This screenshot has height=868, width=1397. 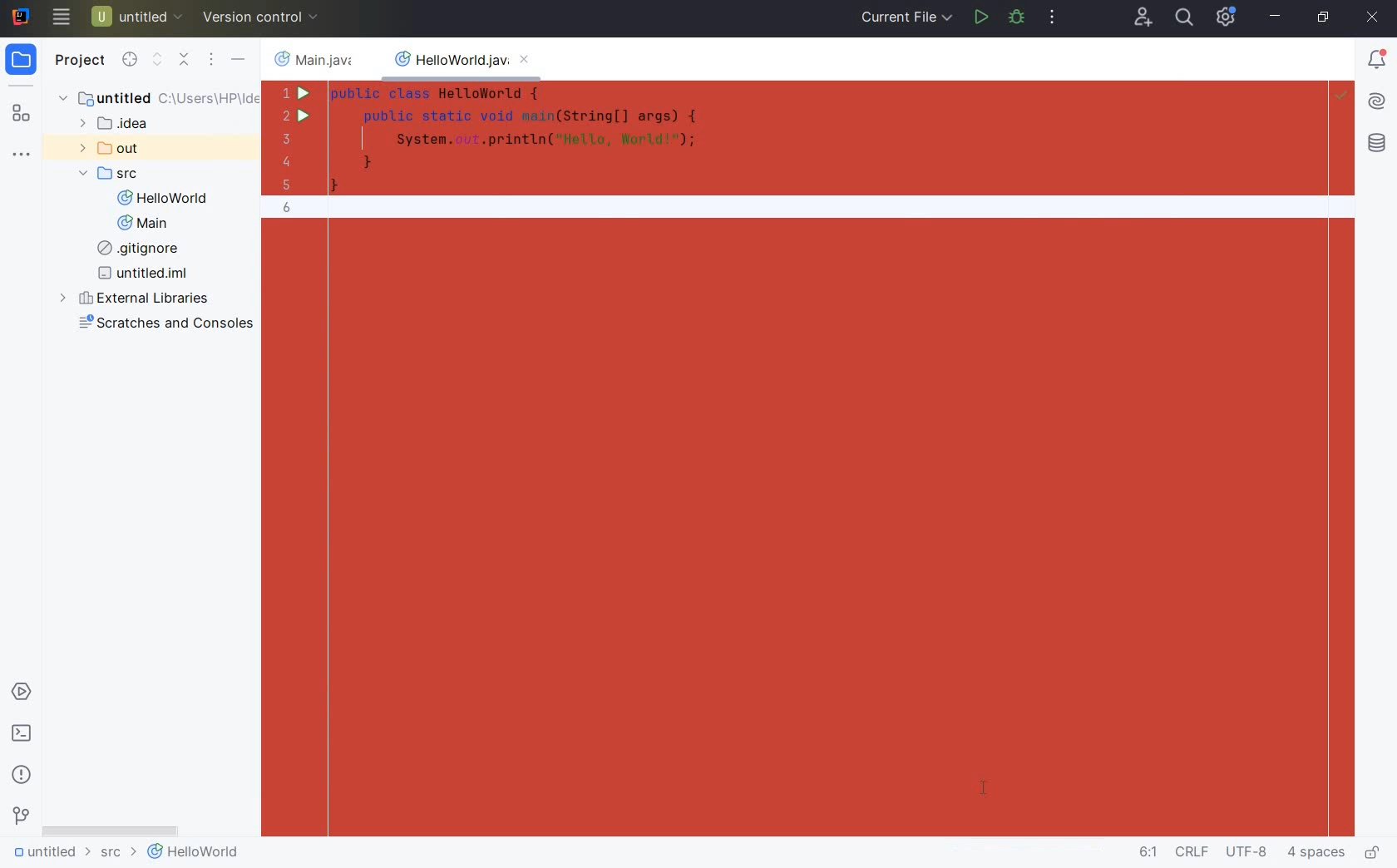 What do you see at coordinates (1377, 104) in the screenshot?
I see `AI Assistant` at bounding box center [1377, 104].